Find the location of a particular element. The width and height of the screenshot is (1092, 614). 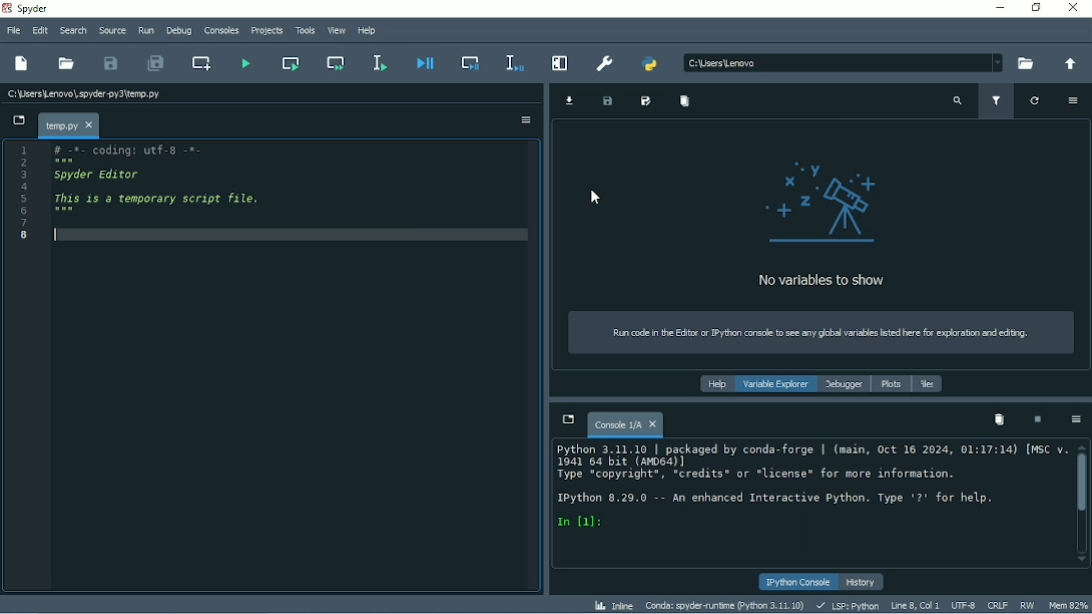

Conda is located at coordinates (725, 605).